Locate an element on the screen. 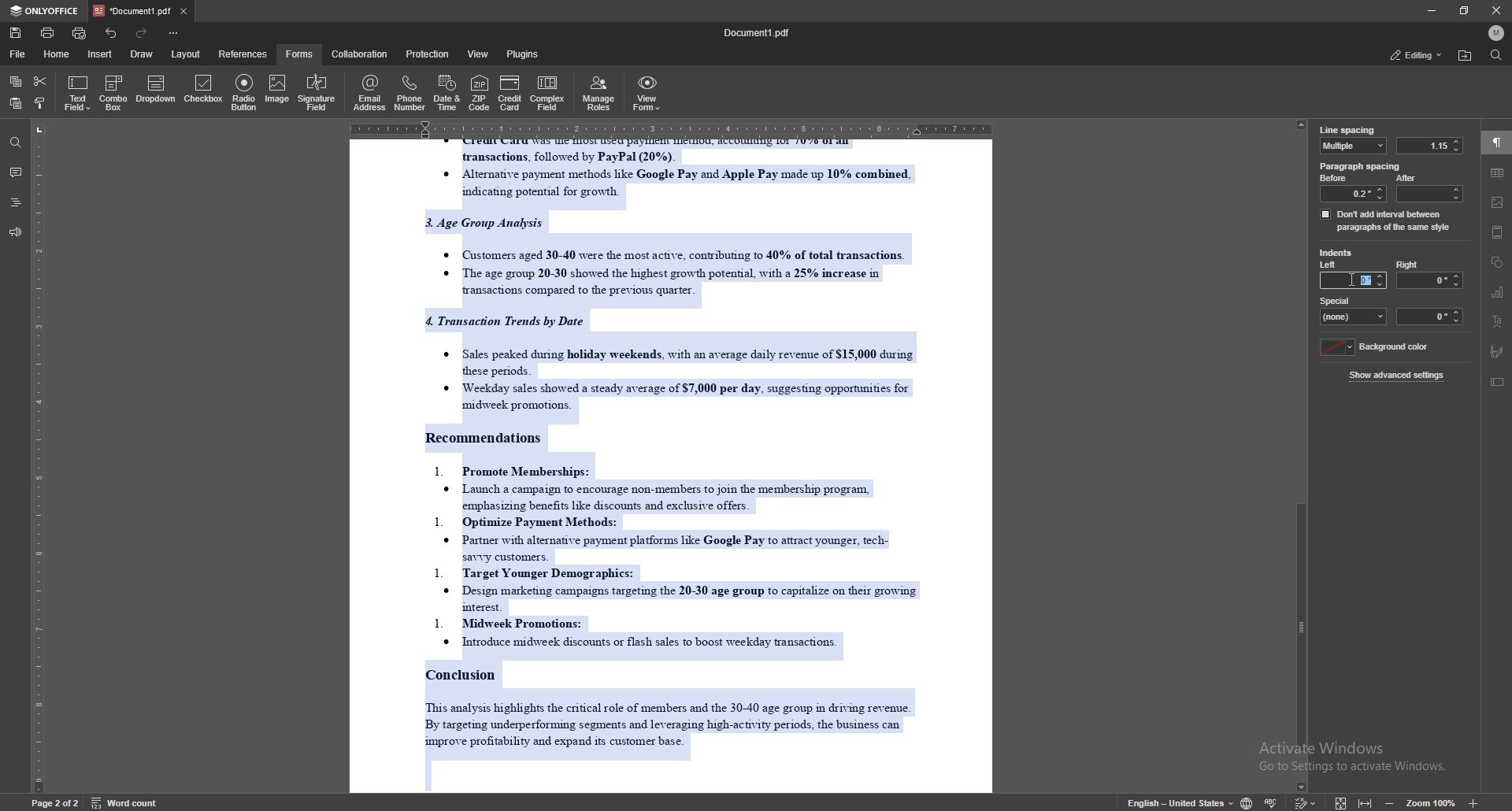  comment is located at coordinates (15, 172).